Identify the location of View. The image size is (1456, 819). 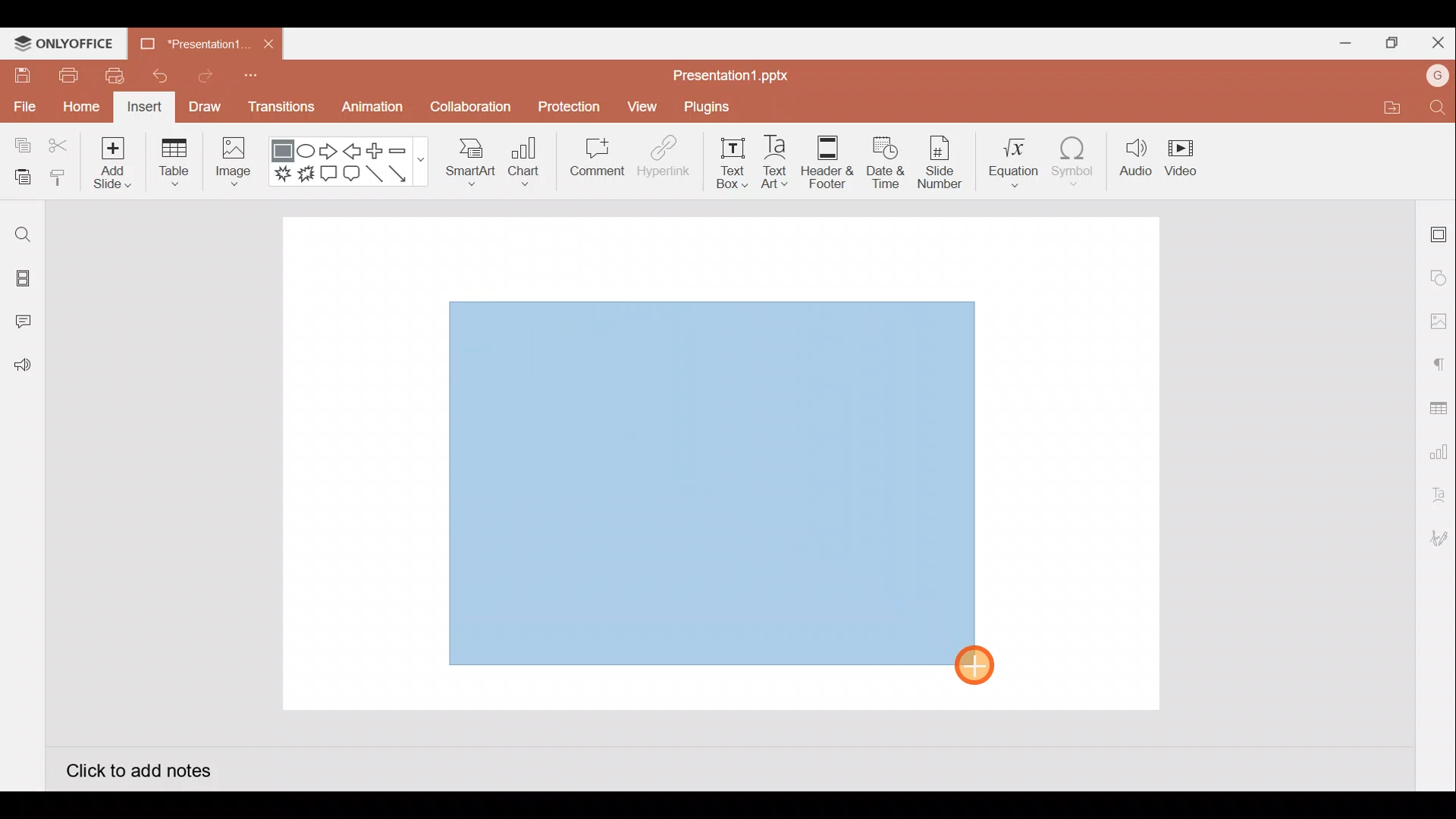
(642, 110).